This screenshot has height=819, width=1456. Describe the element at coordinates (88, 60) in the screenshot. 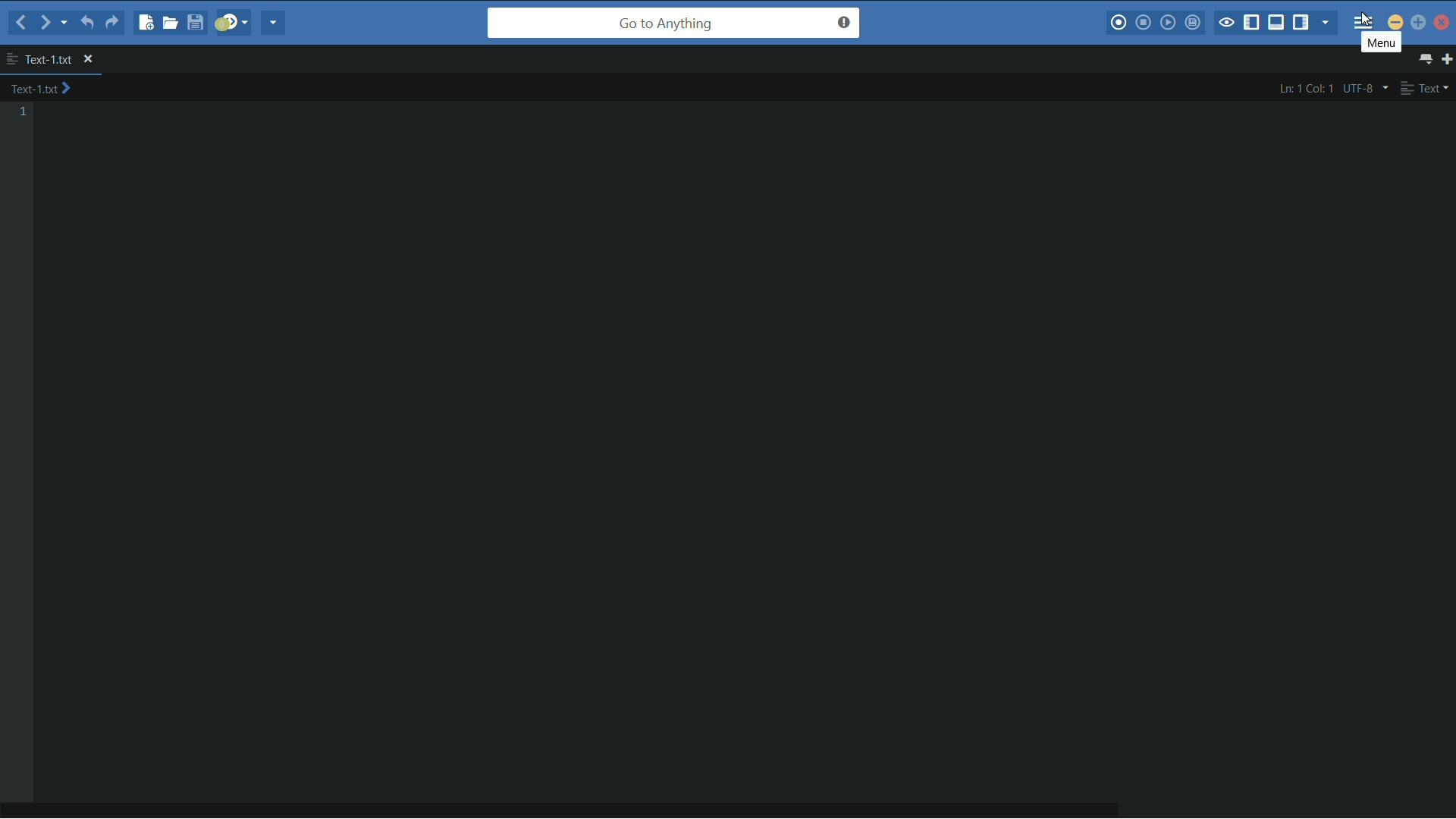

I see `close file` at that location.